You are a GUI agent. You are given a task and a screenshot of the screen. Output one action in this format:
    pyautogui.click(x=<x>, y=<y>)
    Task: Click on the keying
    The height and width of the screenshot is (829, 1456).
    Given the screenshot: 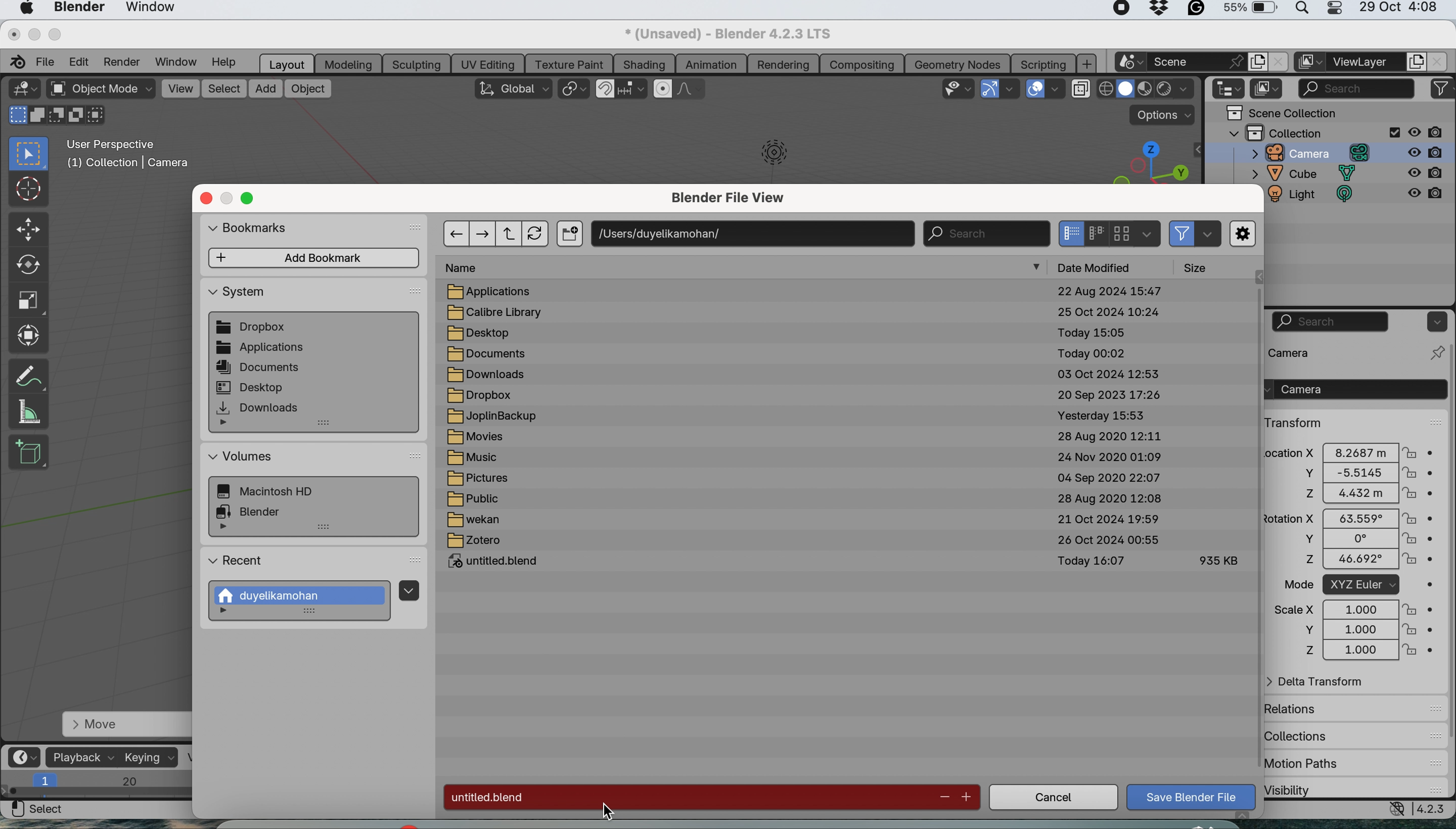 What is the action you would take?
    pyautogui.click(x=149, y=757)
    